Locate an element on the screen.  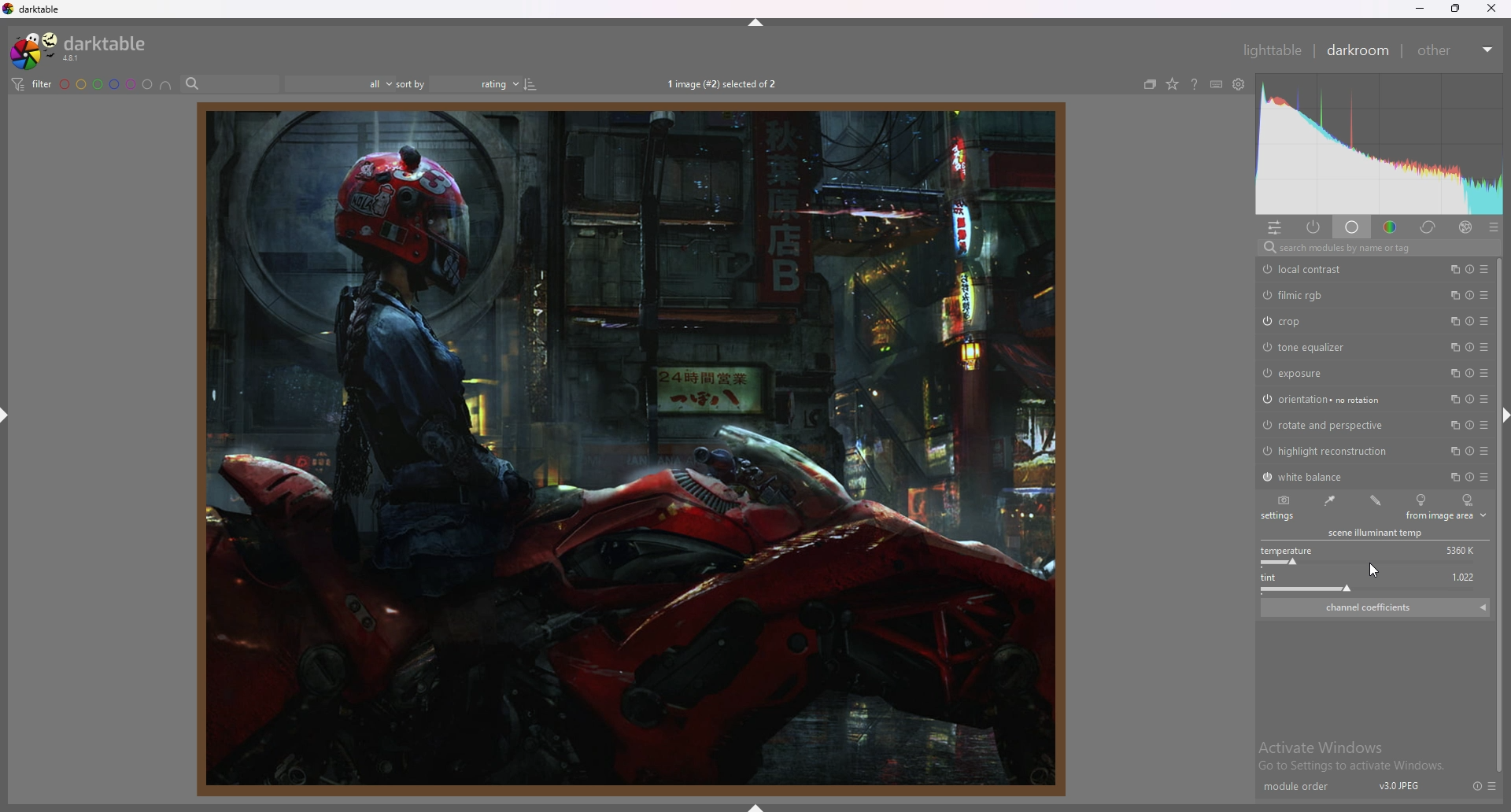
sort by is located at coordinates (460, 84).